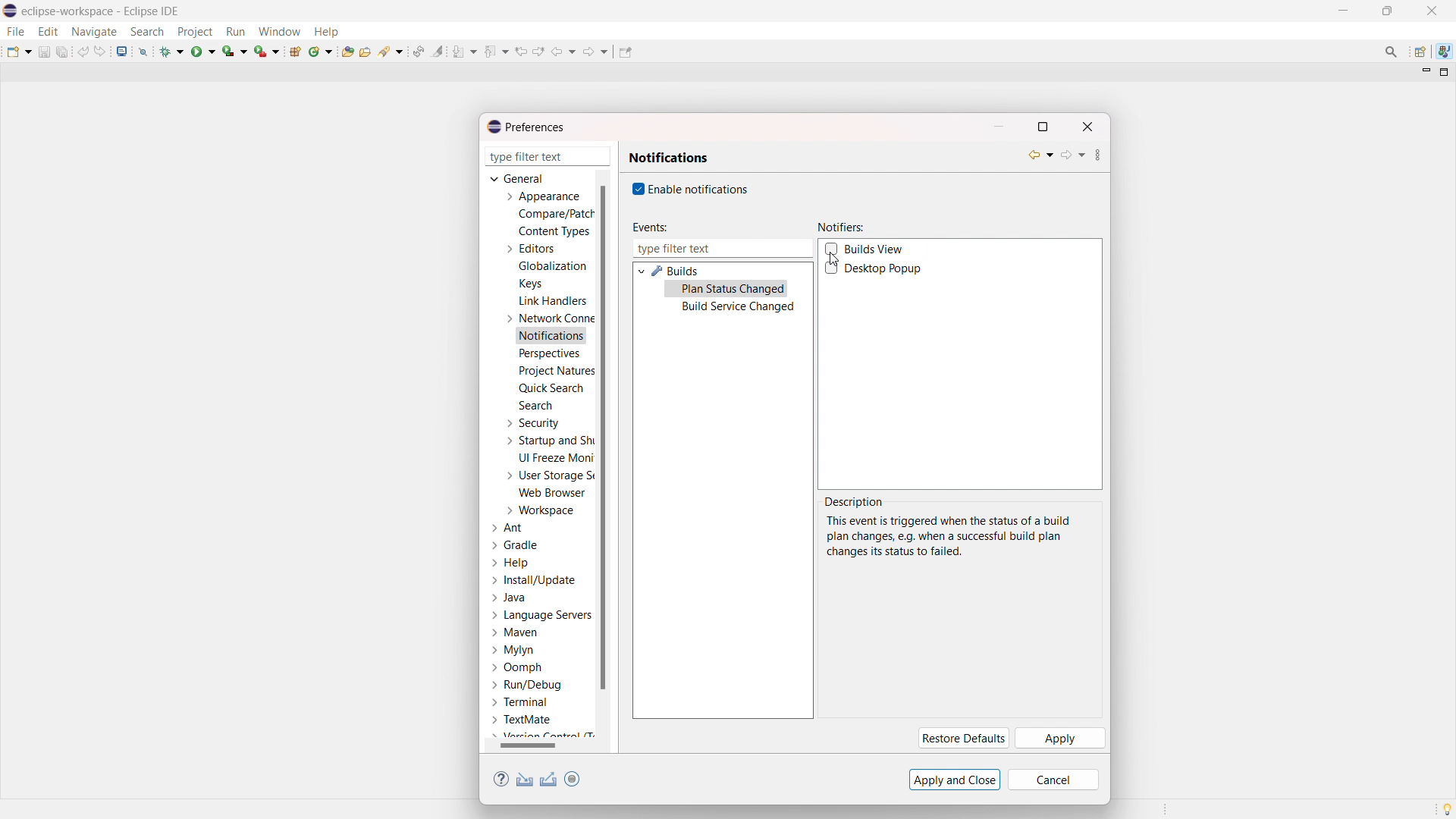 This screenshot has width=1456, height=819. What do you see at coordinates (235, 51) in the screenshot?
I see `coverage` at bounding box center [235, 51].